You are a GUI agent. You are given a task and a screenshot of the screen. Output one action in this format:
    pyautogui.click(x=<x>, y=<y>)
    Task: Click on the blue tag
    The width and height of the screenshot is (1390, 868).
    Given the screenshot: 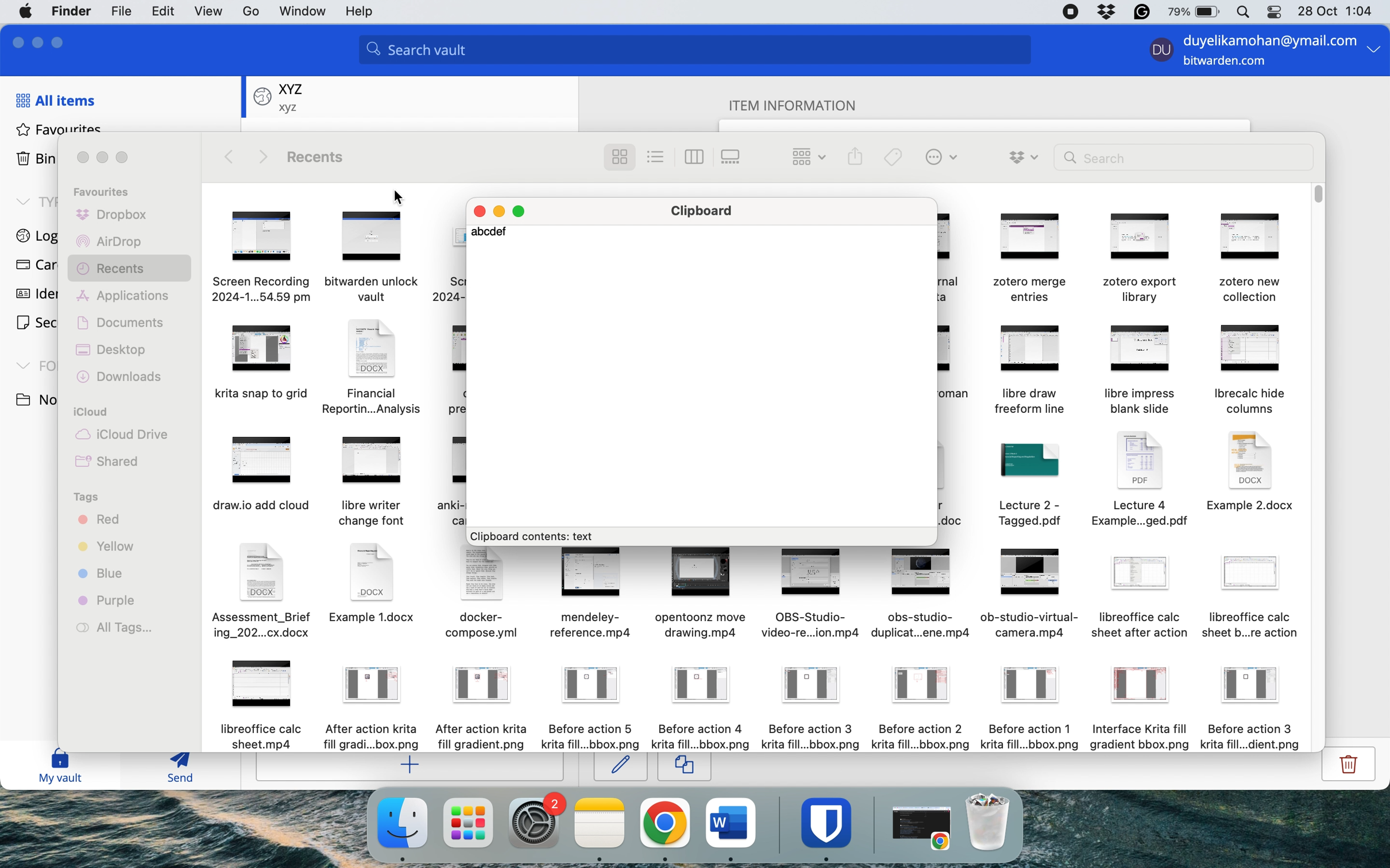 What is the action you would take?
    pyautogui.click(x=104, y=575)
    